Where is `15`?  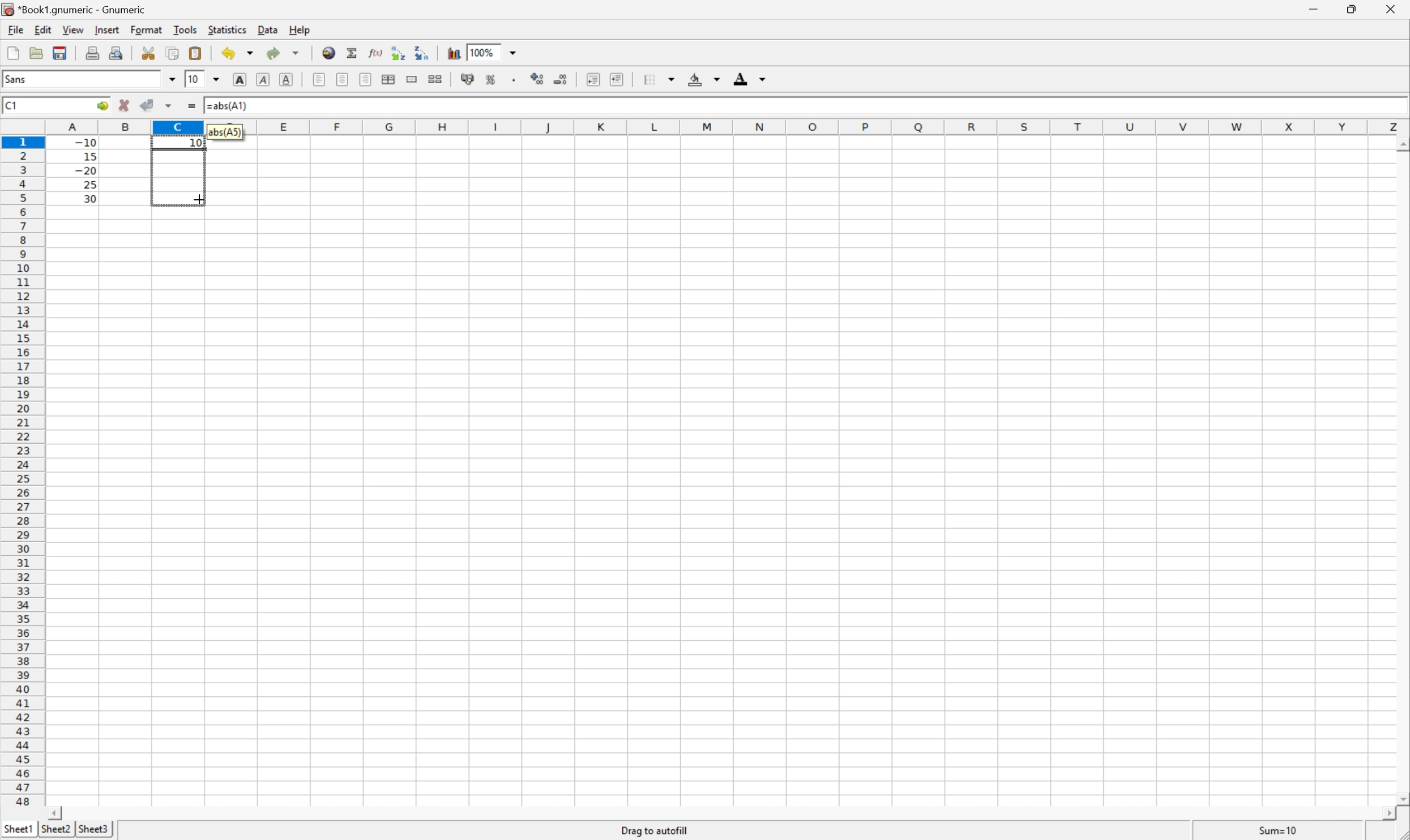 15 is located at coordinates (87, 155).